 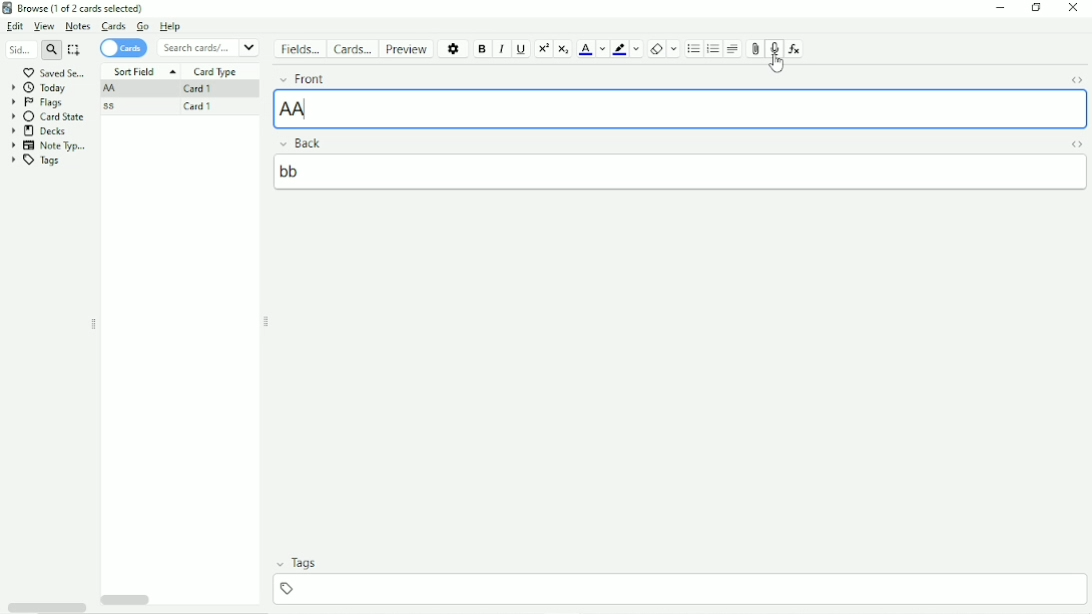 I want to click on Equations, so click(x=795, y=49).